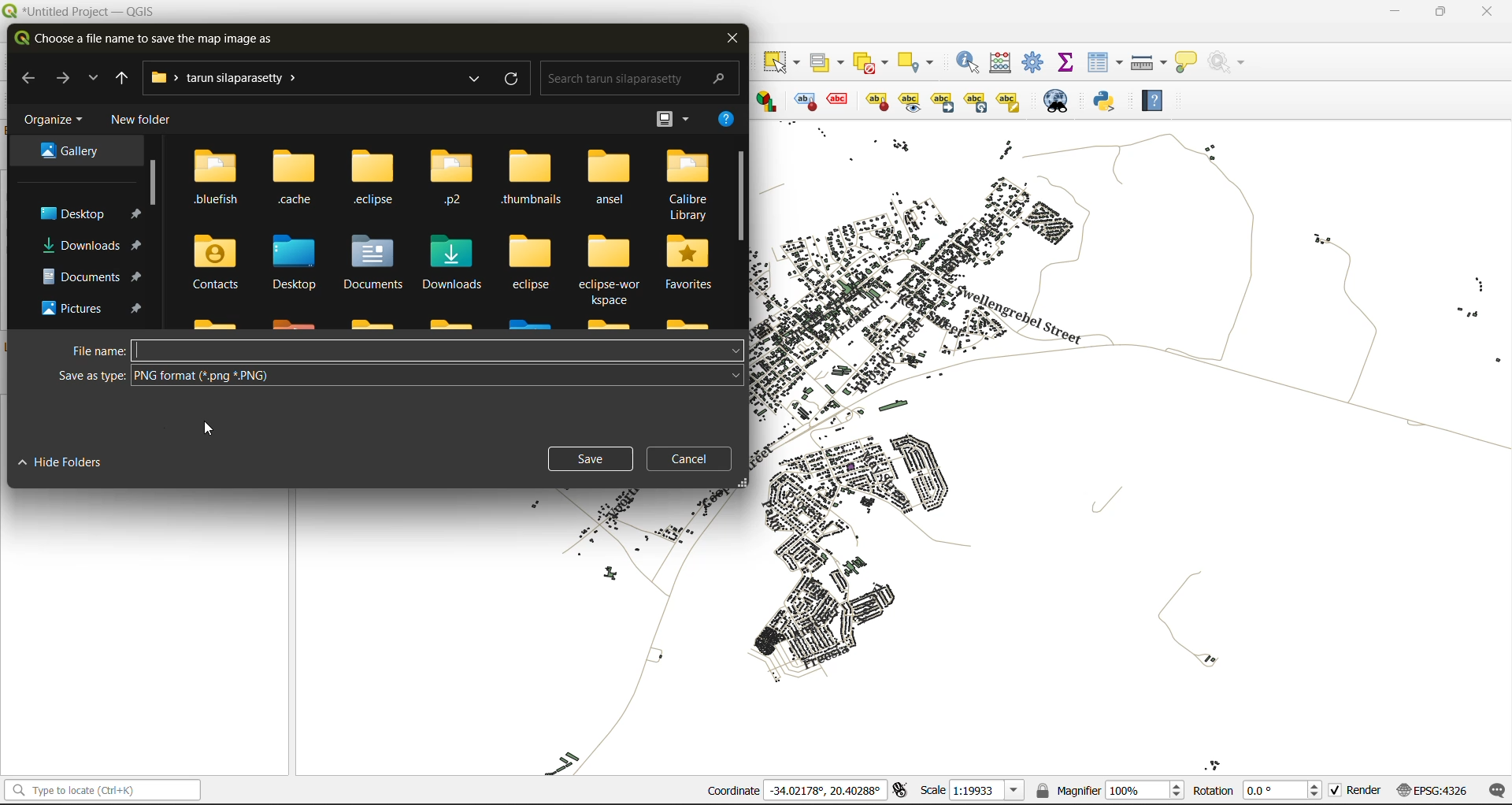 The image size is (1512, 805). What do you see at coordinates (1149, 61) in the screenshot?
I see `measure line` at bounding box center [1149, 61].